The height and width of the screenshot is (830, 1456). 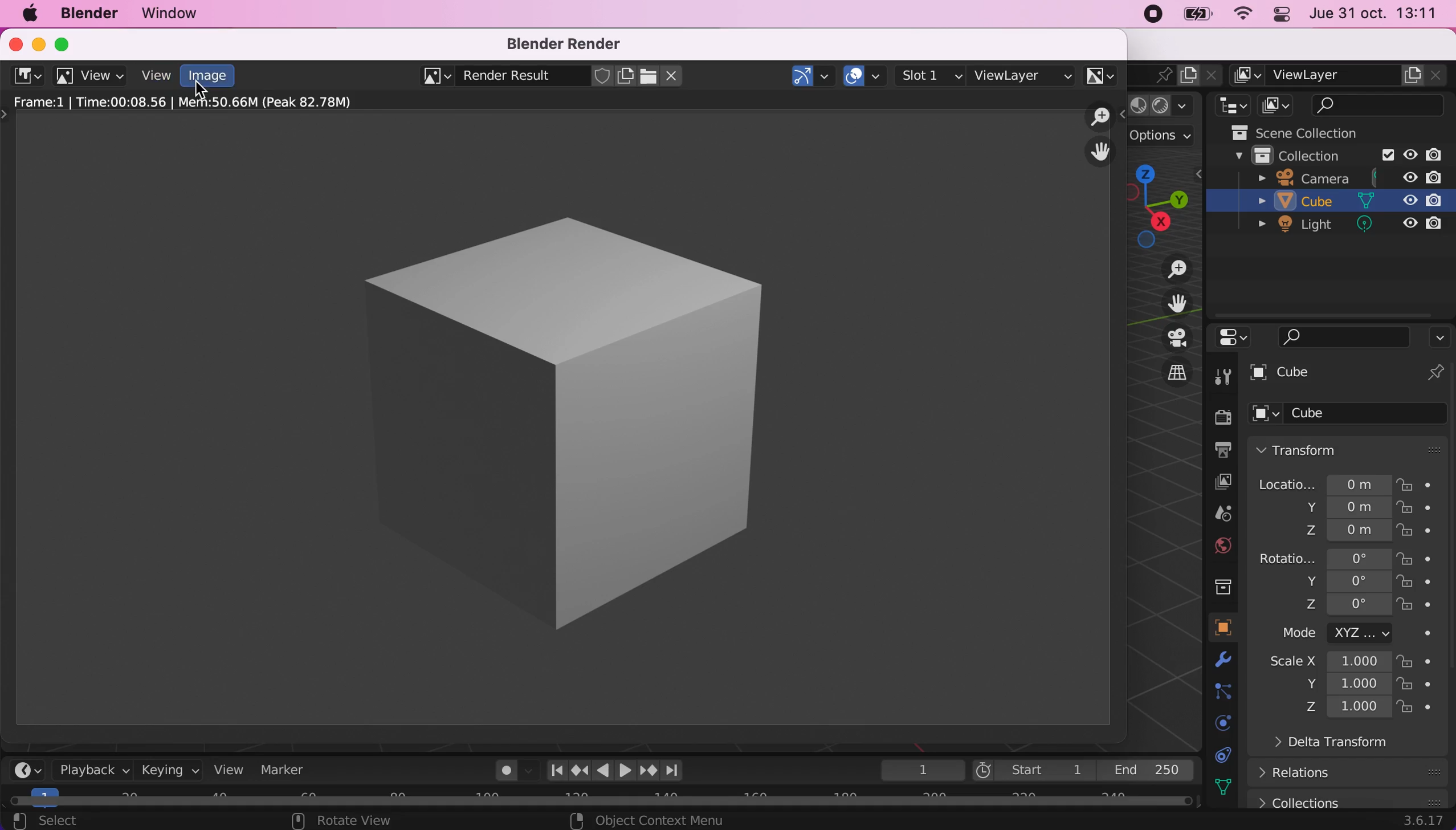 What do you see at coordinates (234, 771) in the screenshot?
I see `view` at bounding box center [234, 771].